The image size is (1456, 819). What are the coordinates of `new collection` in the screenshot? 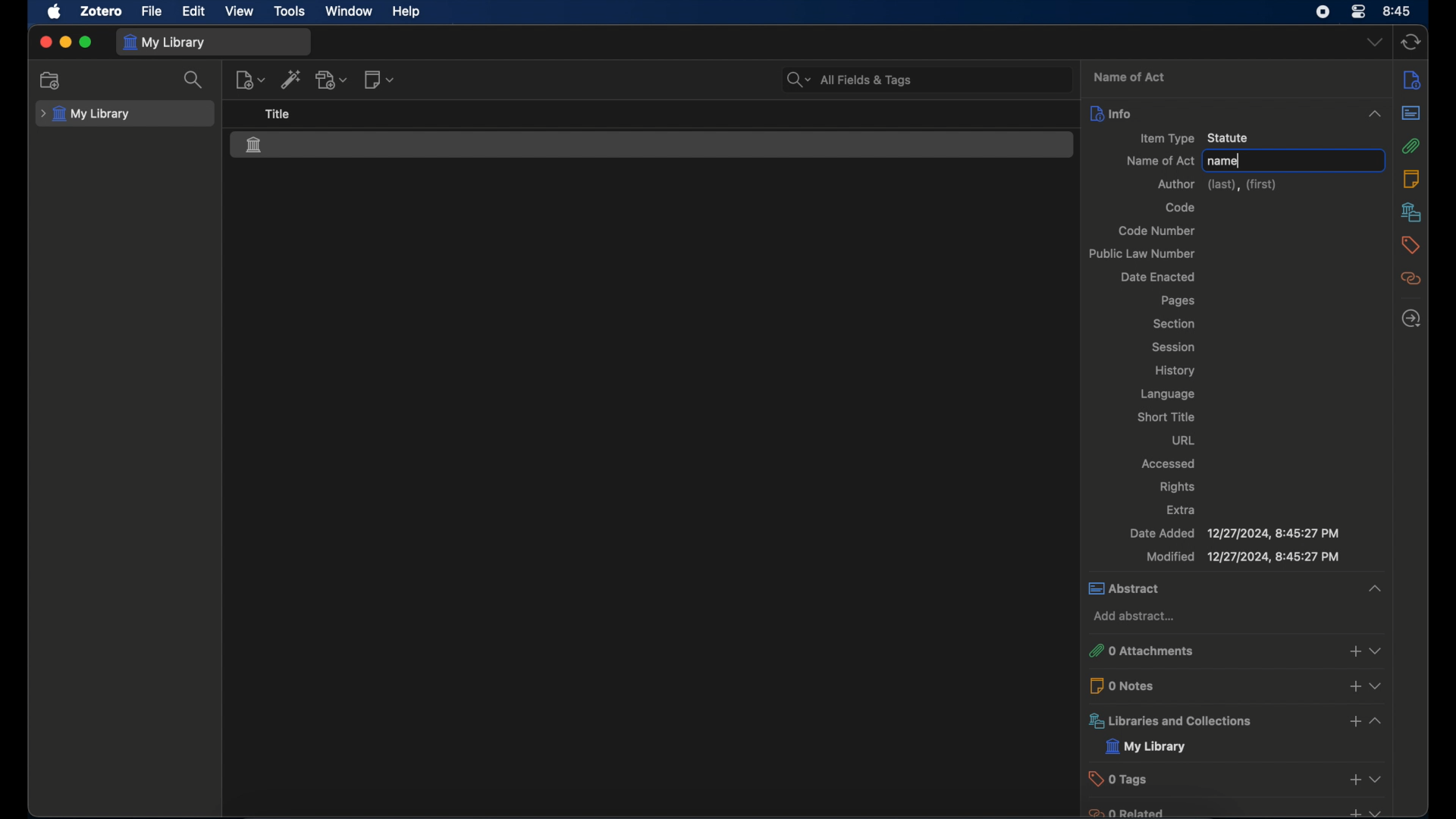 It's located at (51, 80).